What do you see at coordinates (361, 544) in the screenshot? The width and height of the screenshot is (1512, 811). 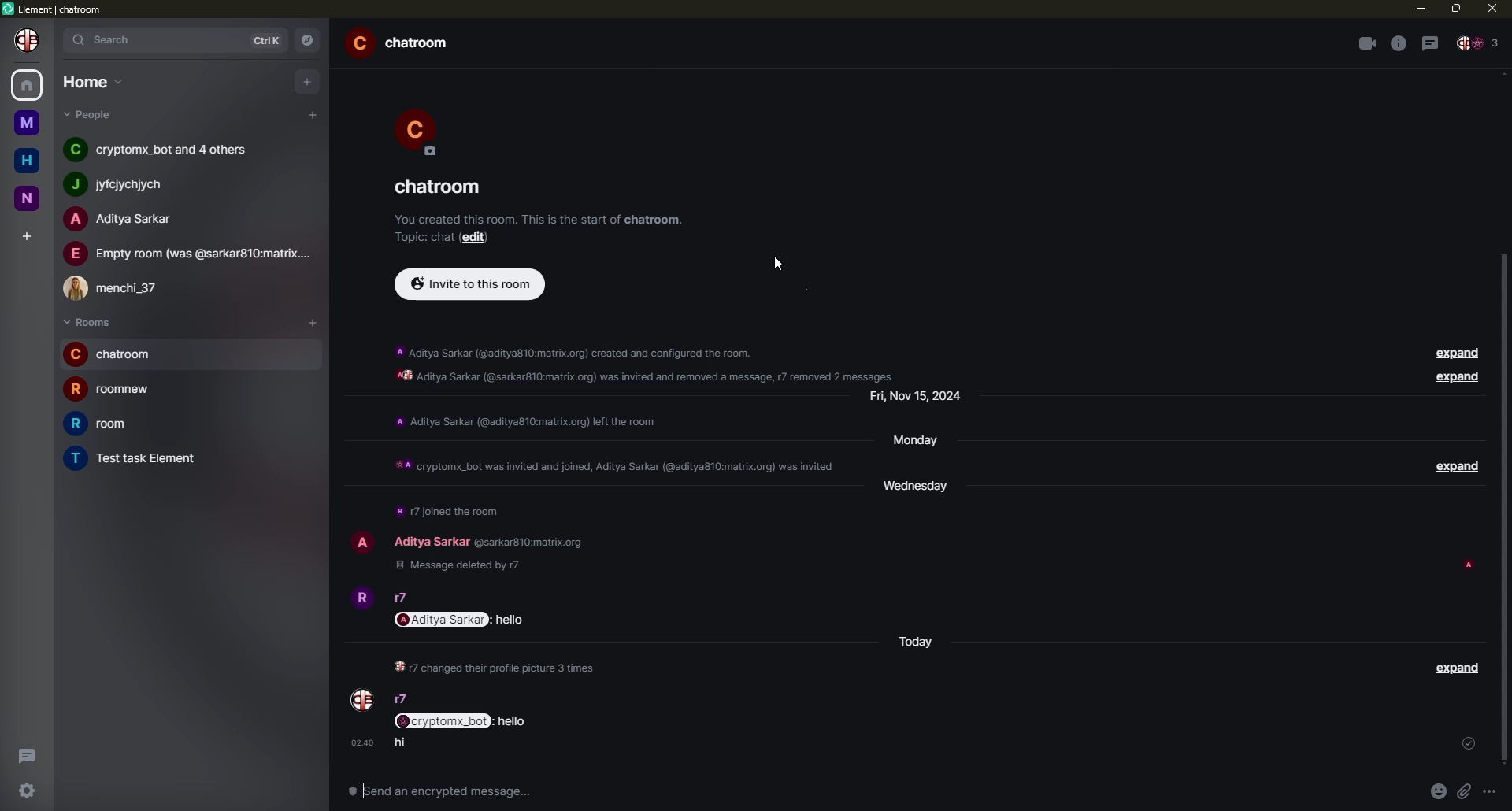 I see `profile` at bounding box center [361, 544].